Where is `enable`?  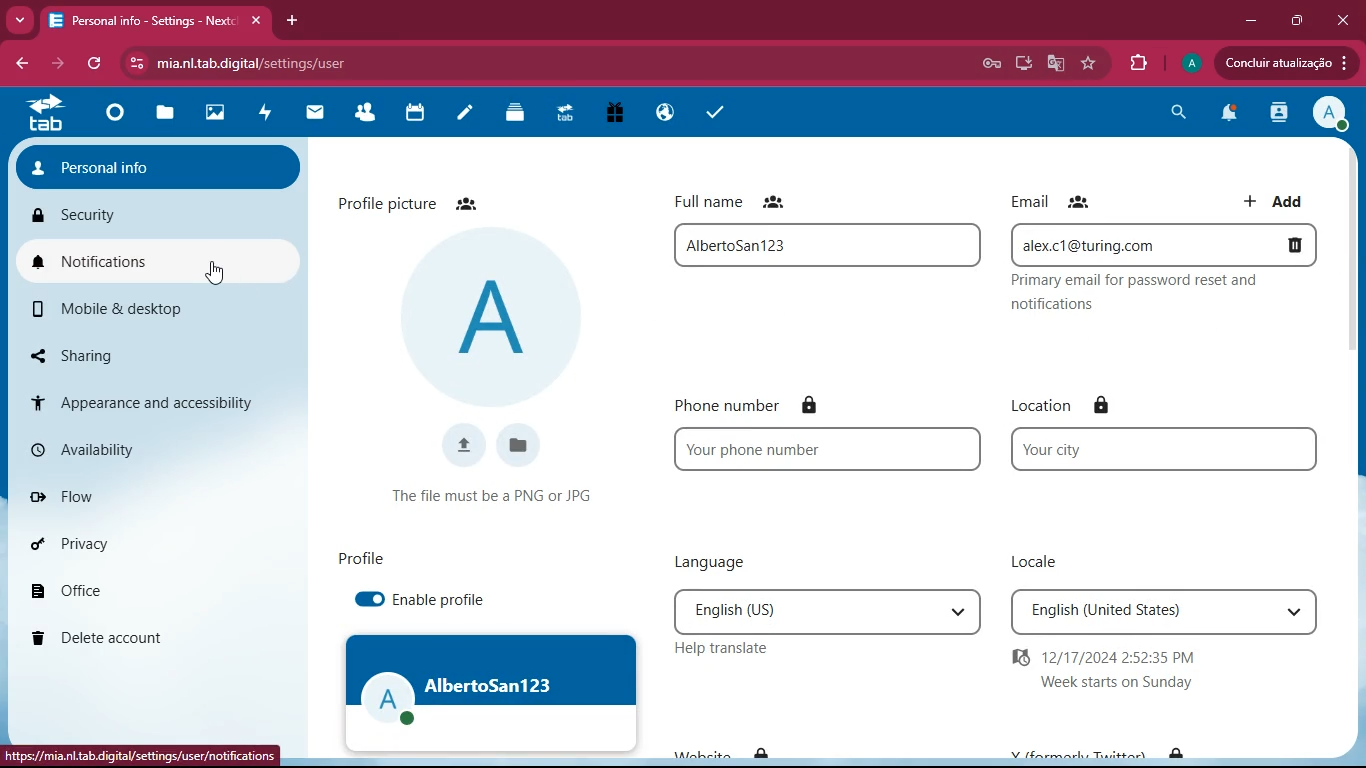
enable is located at coordinates (440, 600).